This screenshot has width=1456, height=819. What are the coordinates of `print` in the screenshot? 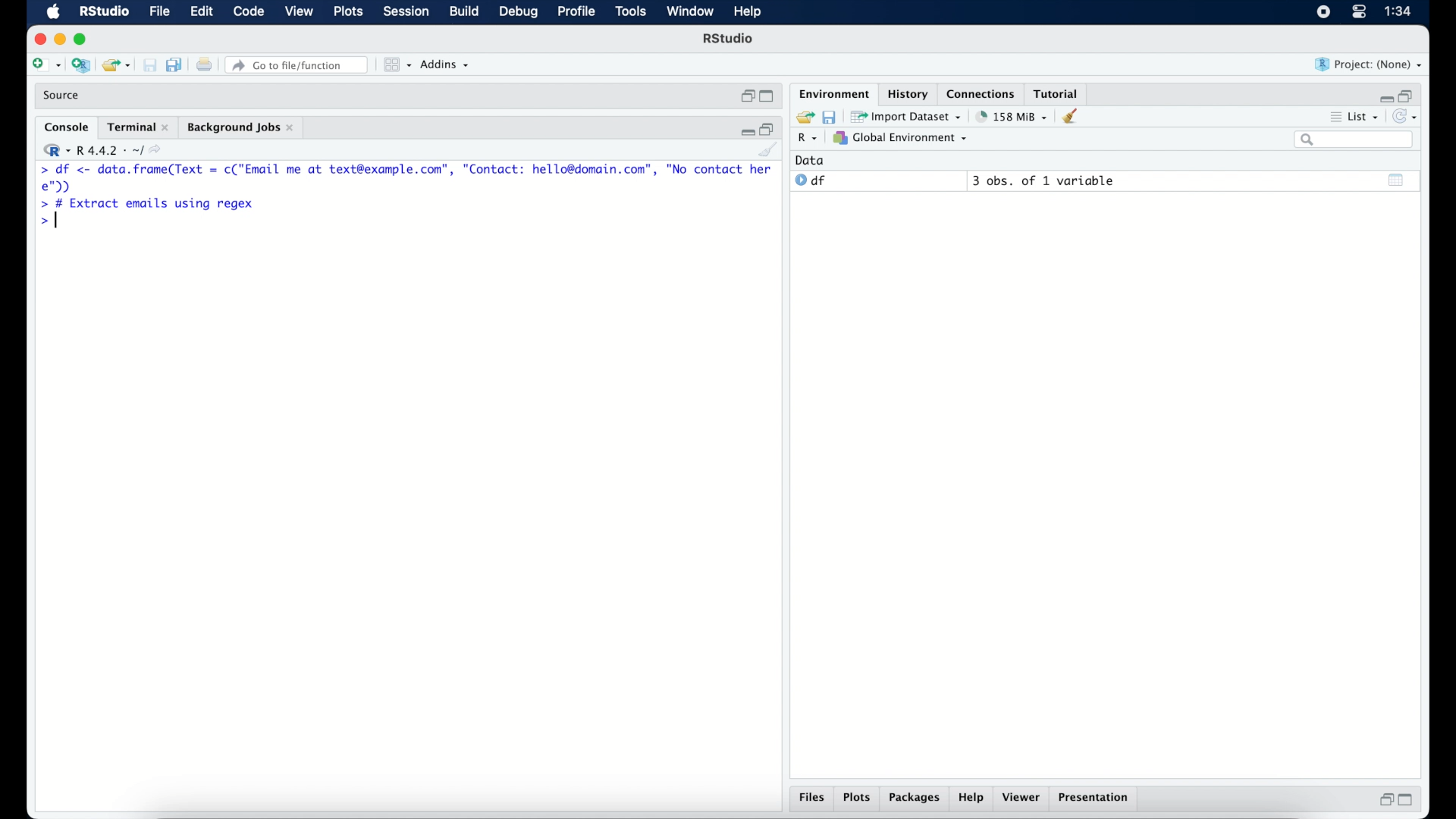 It's located at (203, 64).